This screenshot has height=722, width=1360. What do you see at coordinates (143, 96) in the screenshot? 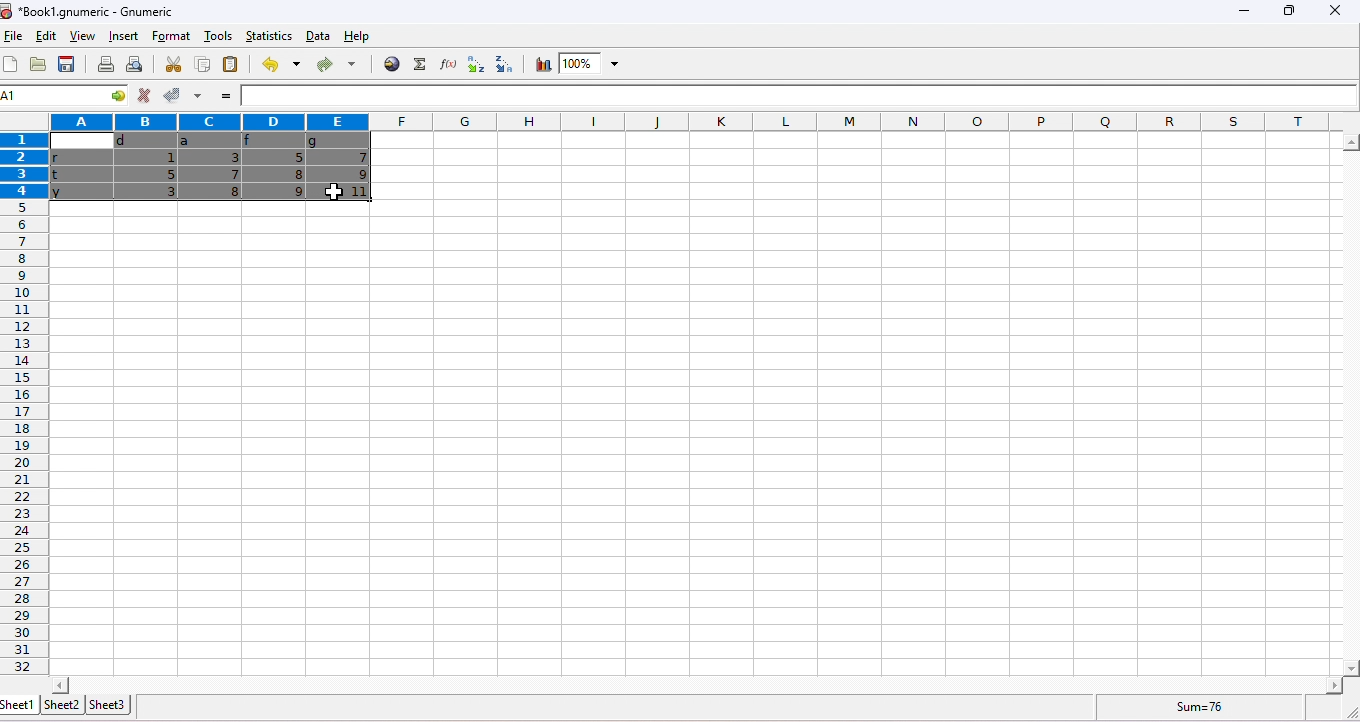
I see `reject` at bounding box center [143, 96].